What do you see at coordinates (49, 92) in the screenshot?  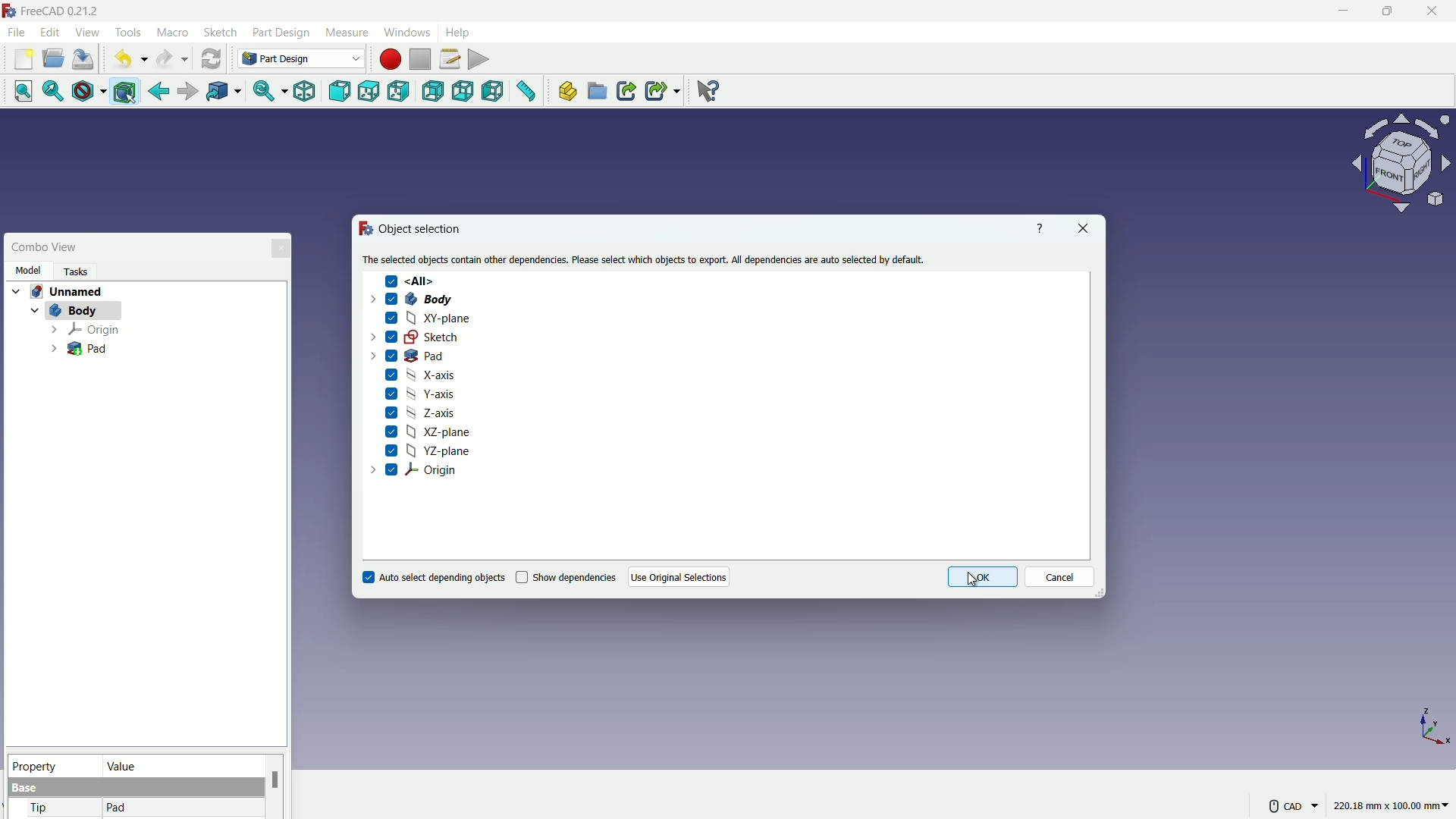 I see `fit selection` at bounding box center [49, 92].